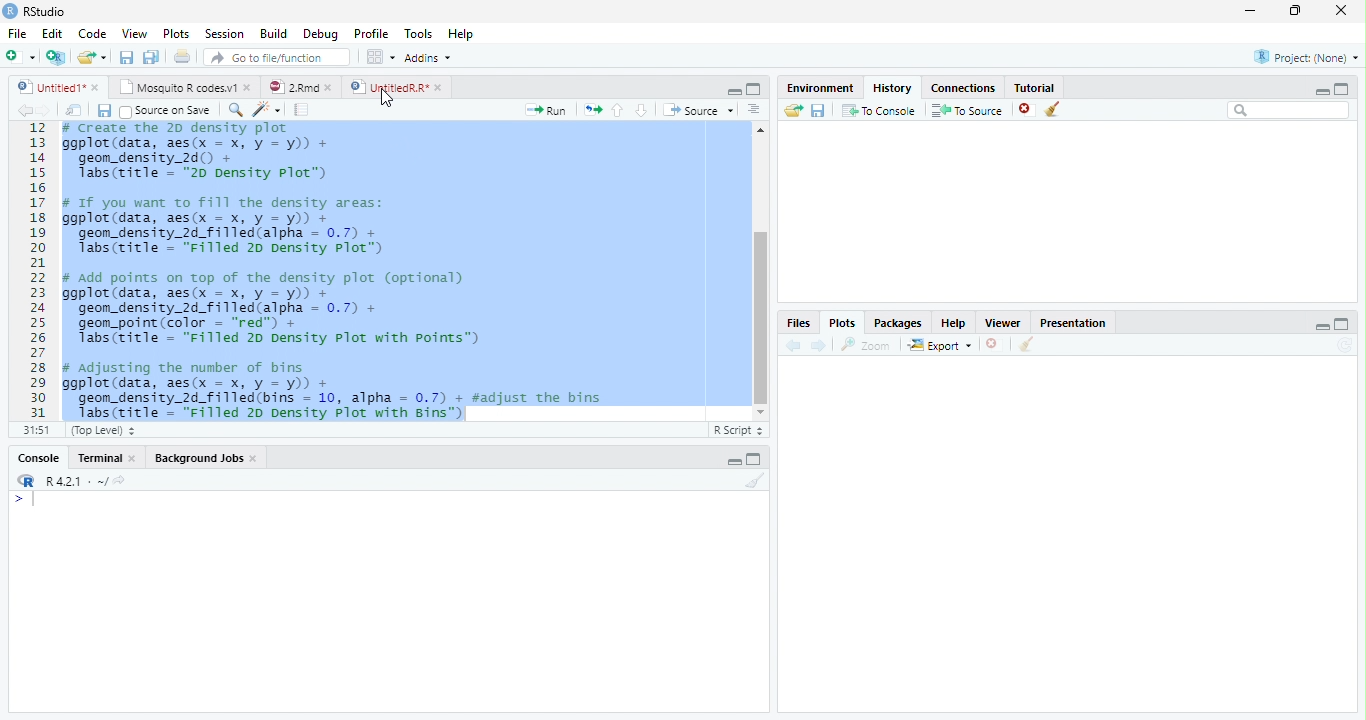  I want to click on up, so click(618, 110).